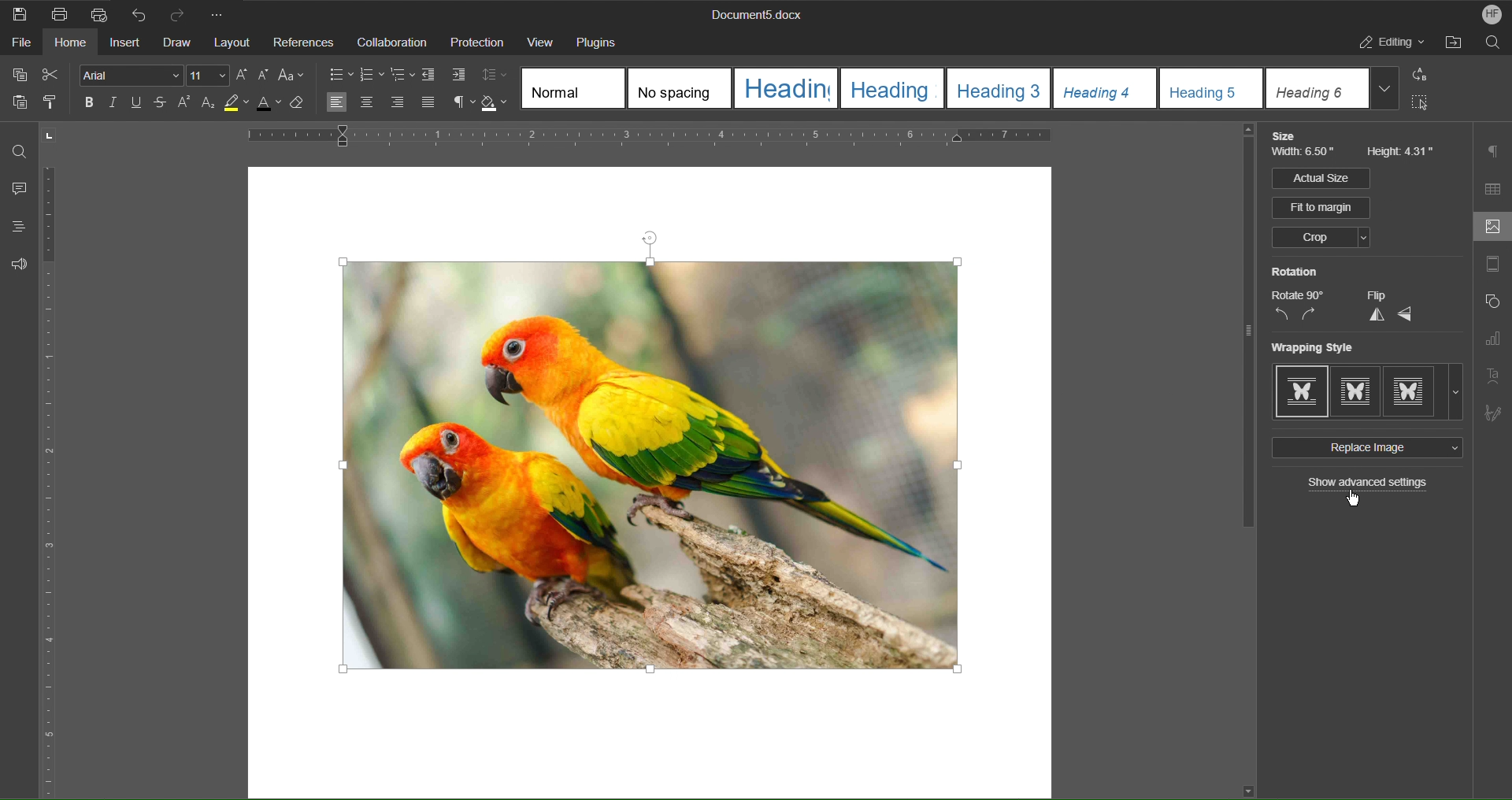  I want to click on Superscript, so click(184, 105).